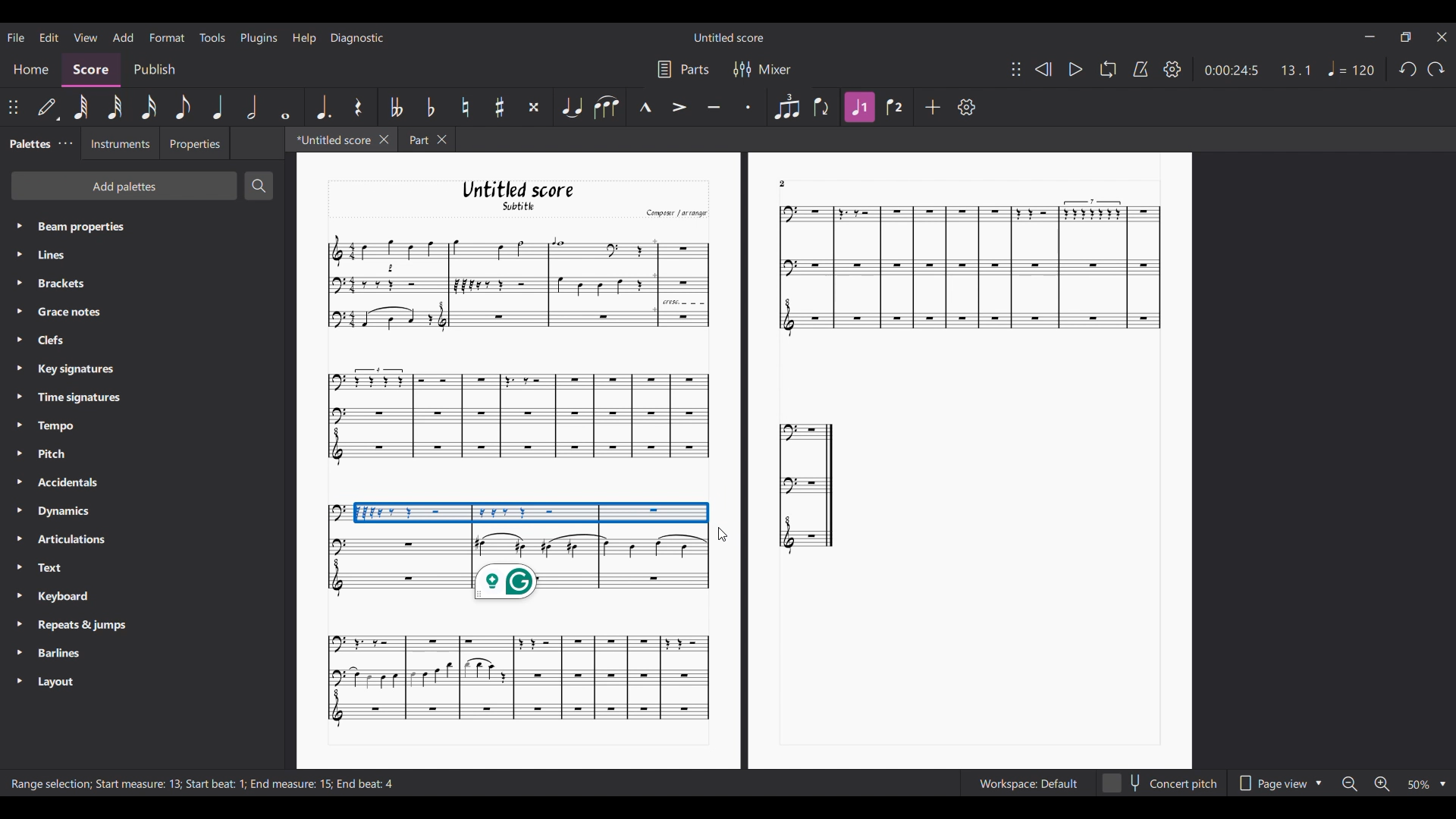  What do you see at coordinates (304, 38) in the screenshot?
I see `Help menu` at bounding box center [304, 38].